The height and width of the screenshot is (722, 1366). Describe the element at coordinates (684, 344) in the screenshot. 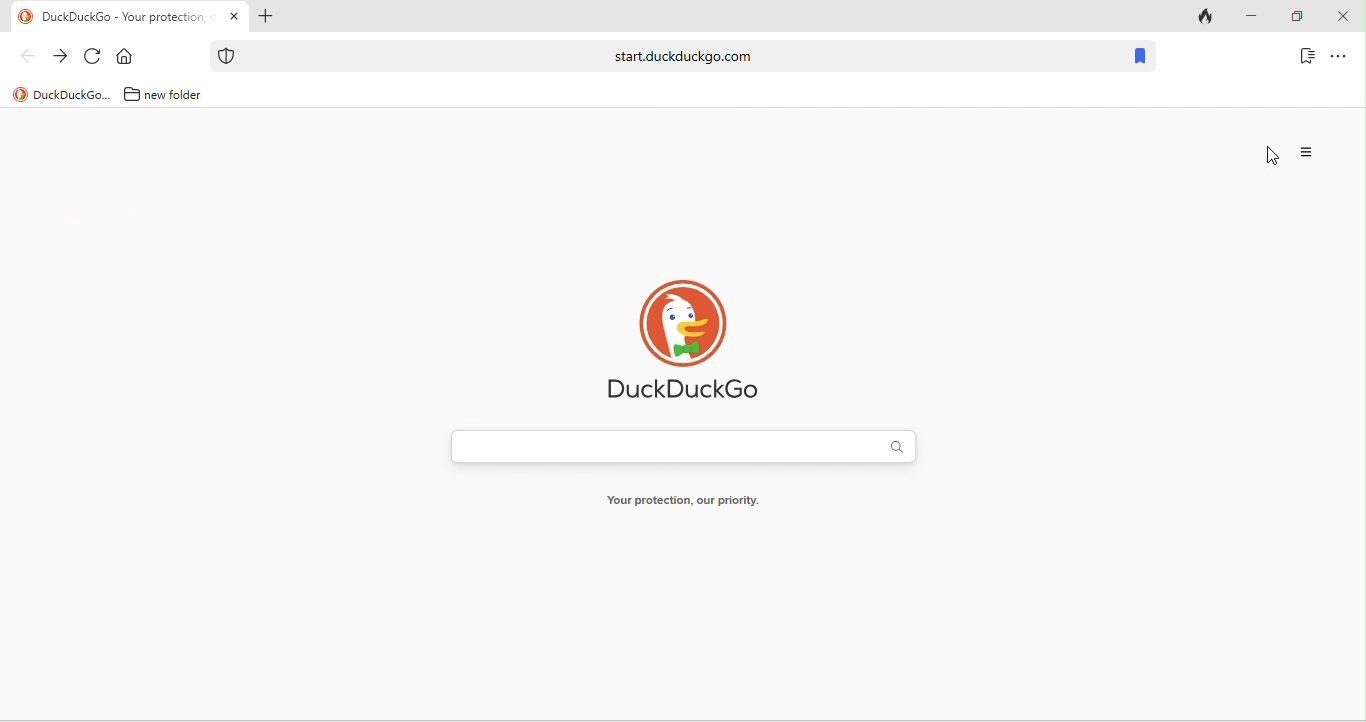

I see `duck duck go logo` at that location.